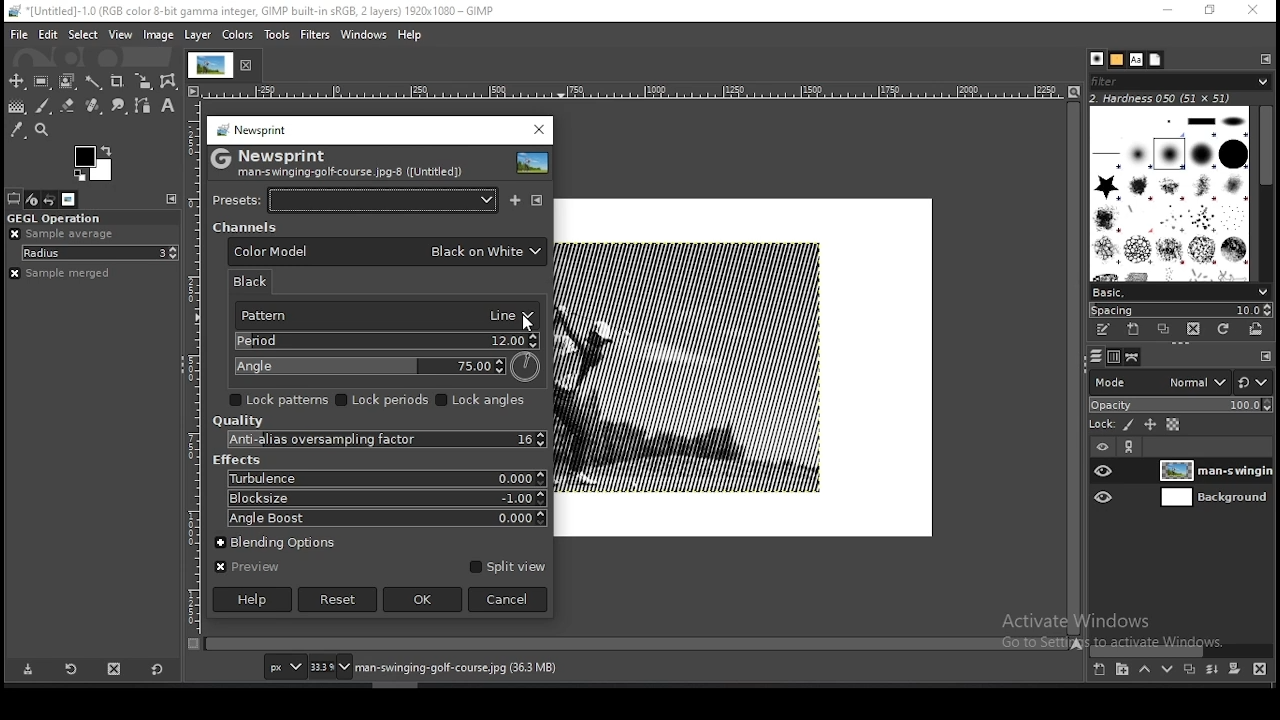 This screenshot has width=1280, height=720. What do you see at coordinates (200, 36) in the screenshot?
I see `layer` at bounding box center [200, 36].